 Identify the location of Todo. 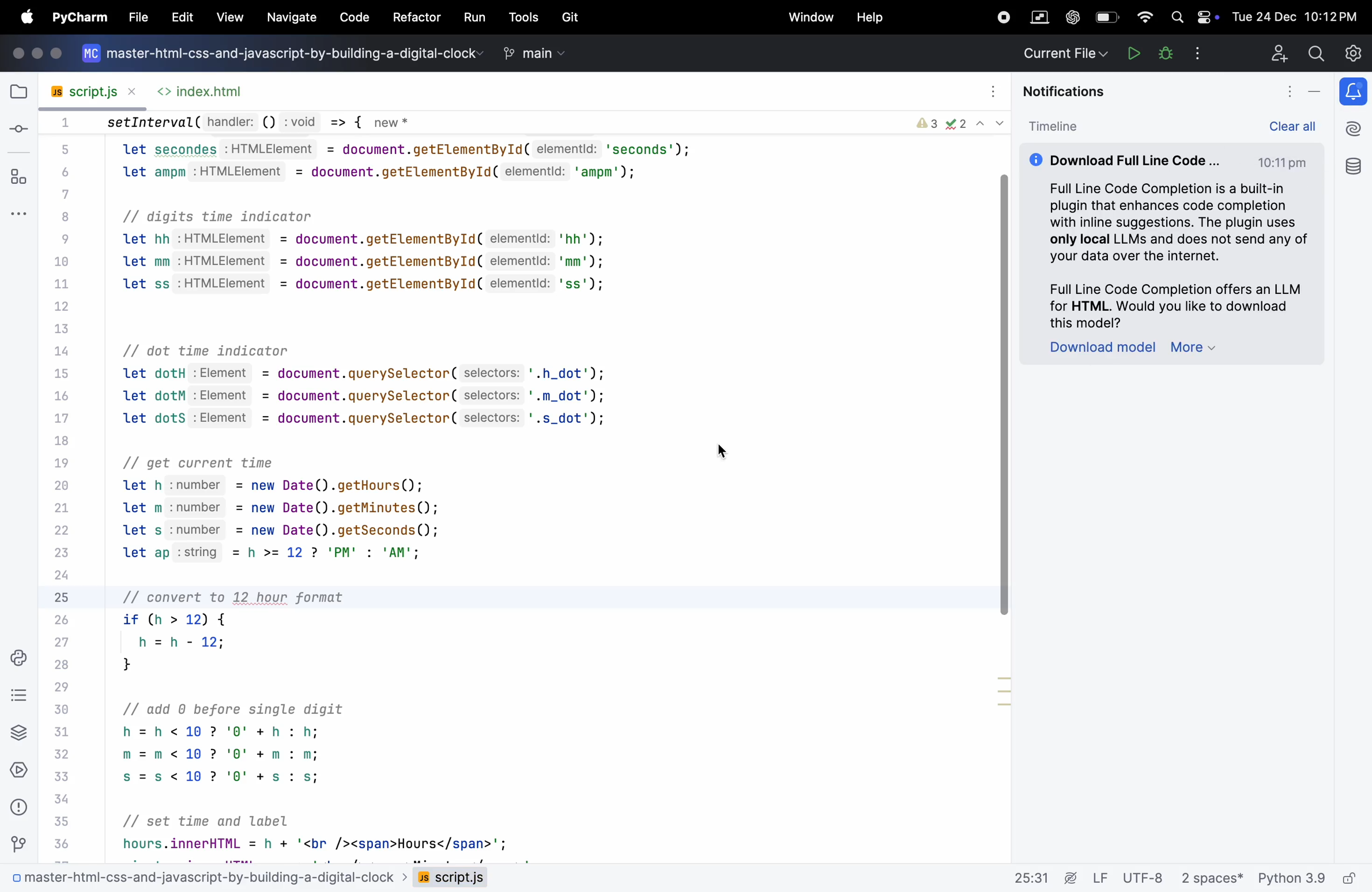
(17, 697).